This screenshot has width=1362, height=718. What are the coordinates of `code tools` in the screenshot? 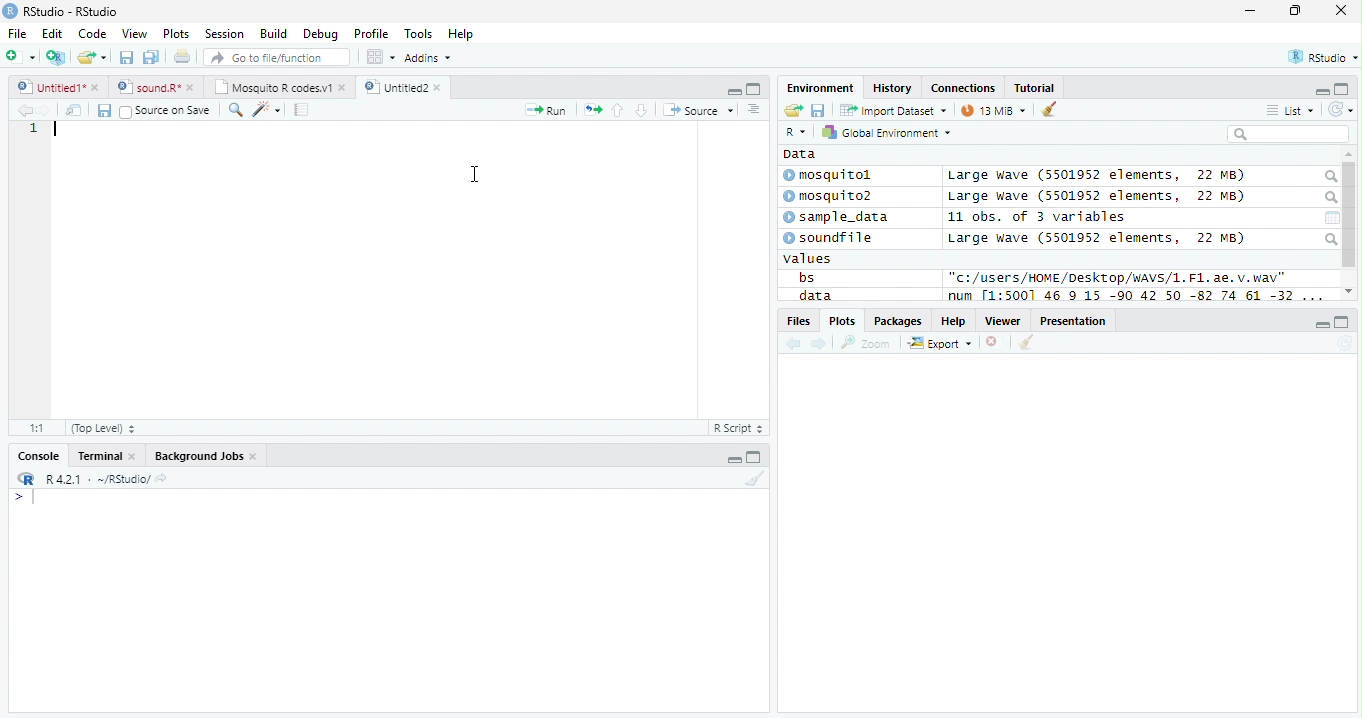 It's located at (267, 110).